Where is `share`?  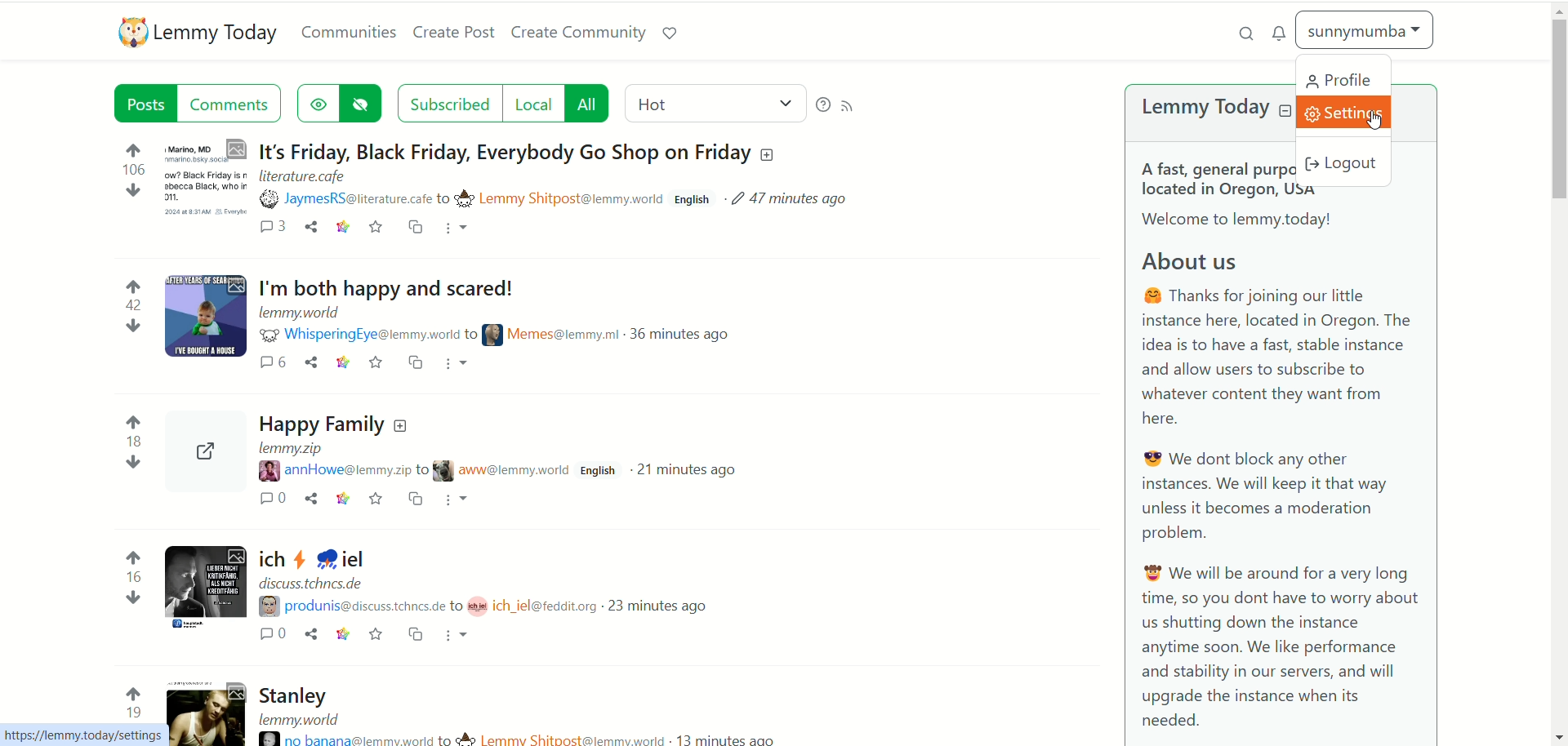
share is located at coordinates (312, 229).